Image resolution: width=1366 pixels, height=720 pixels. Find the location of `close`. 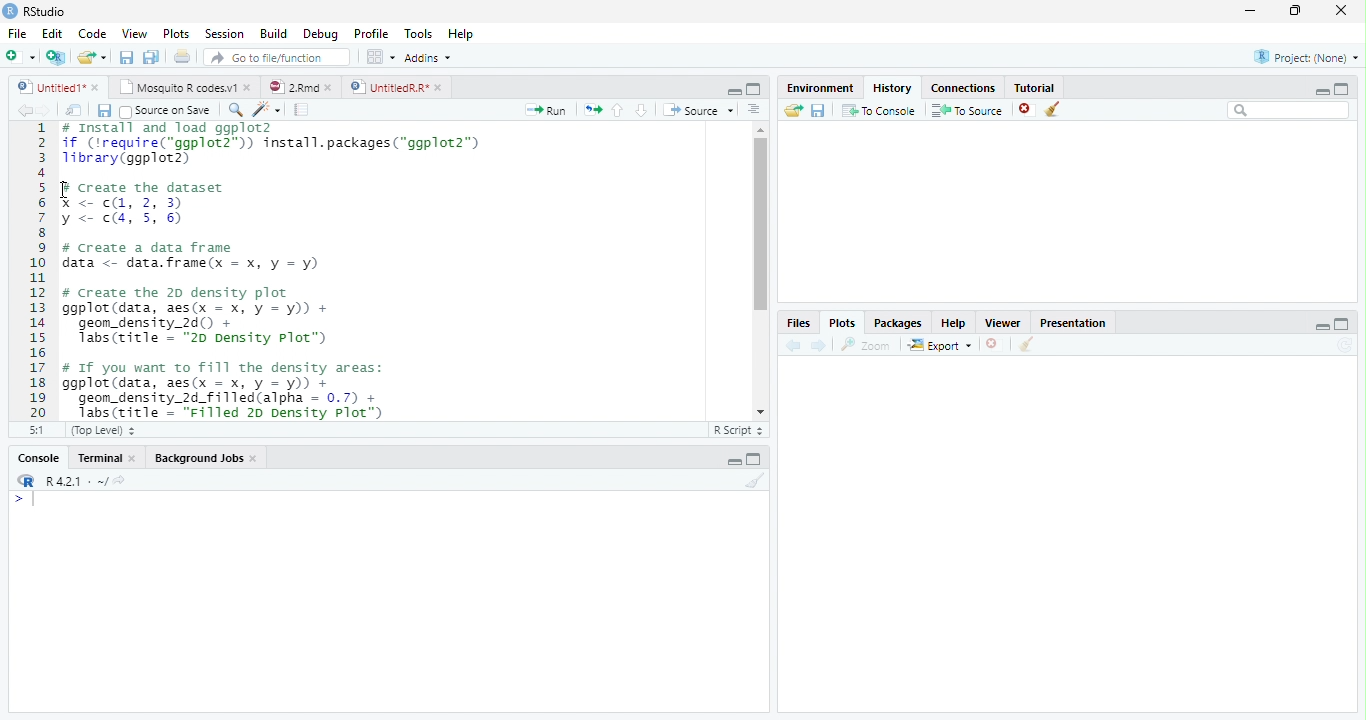

close is located at coordinates (1342, 10).